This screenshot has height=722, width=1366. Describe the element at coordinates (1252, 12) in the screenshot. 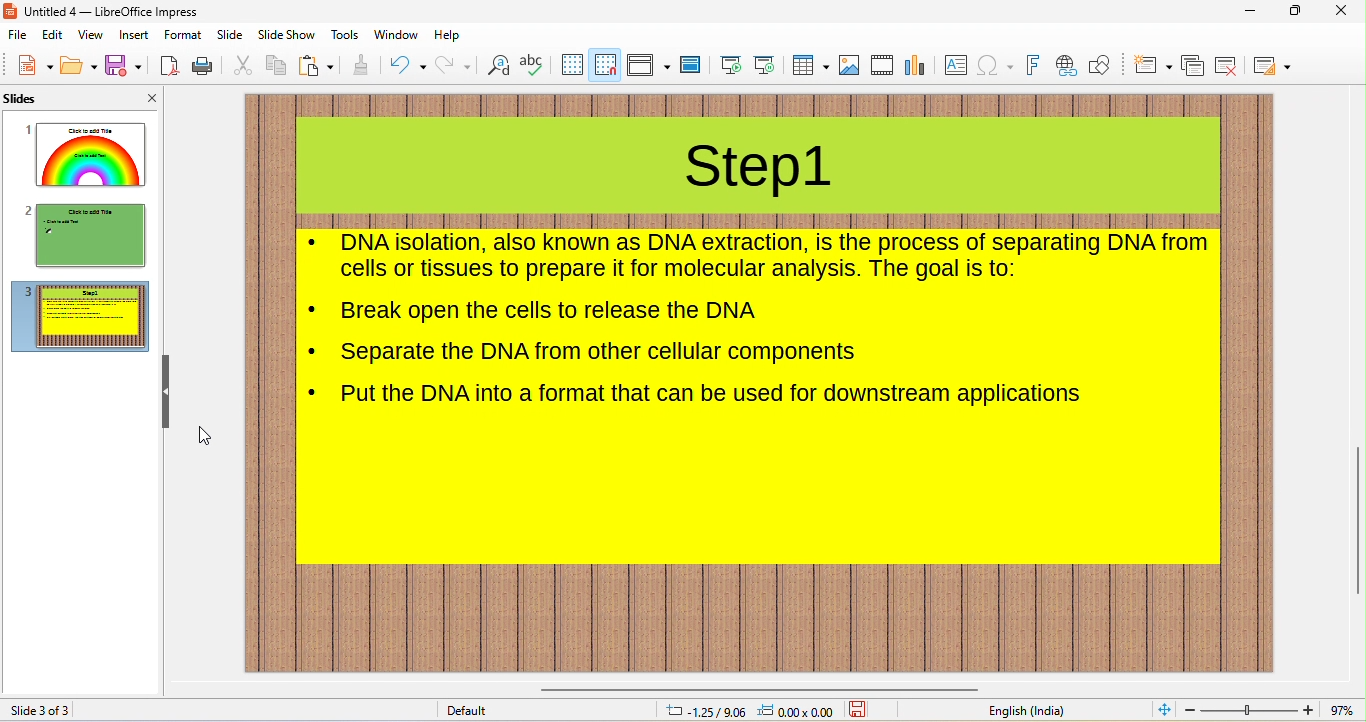

I see `minimize` at that location.